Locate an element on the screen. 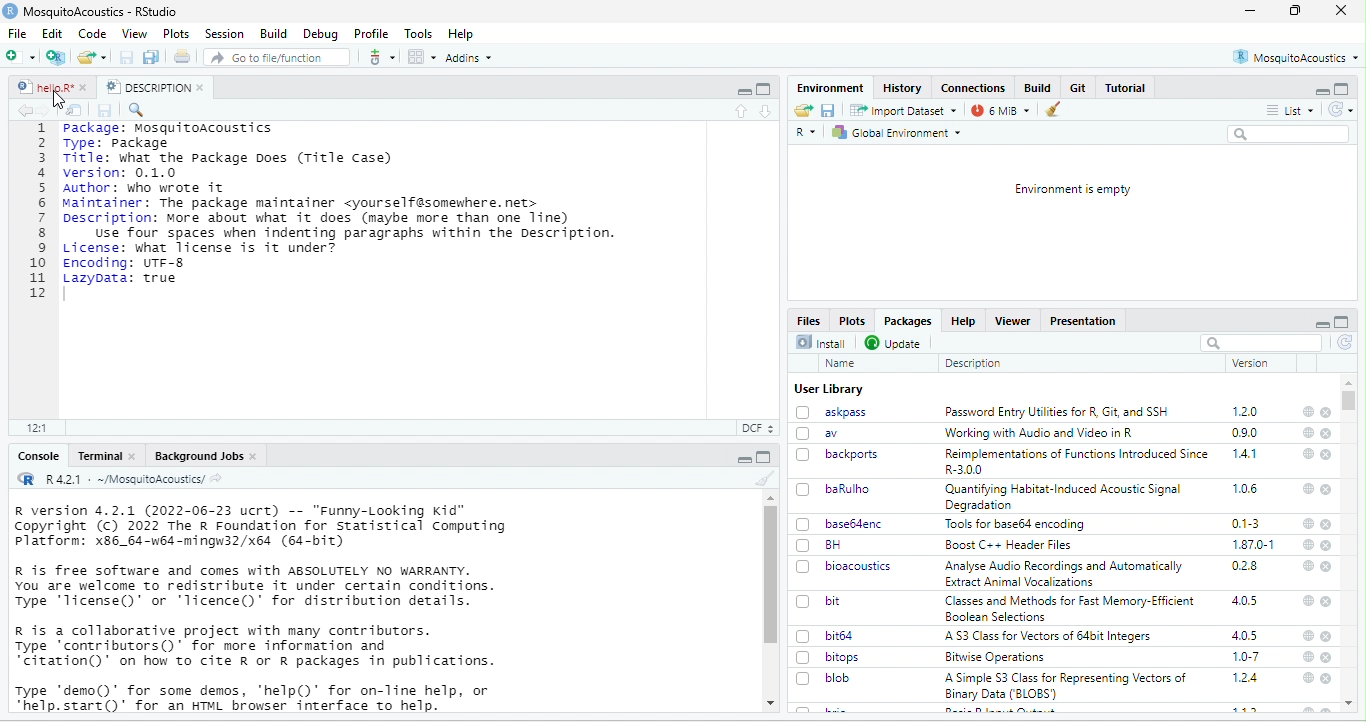 This screenshot has width=1366, height=722. close is located at coordinates (1327, 524).